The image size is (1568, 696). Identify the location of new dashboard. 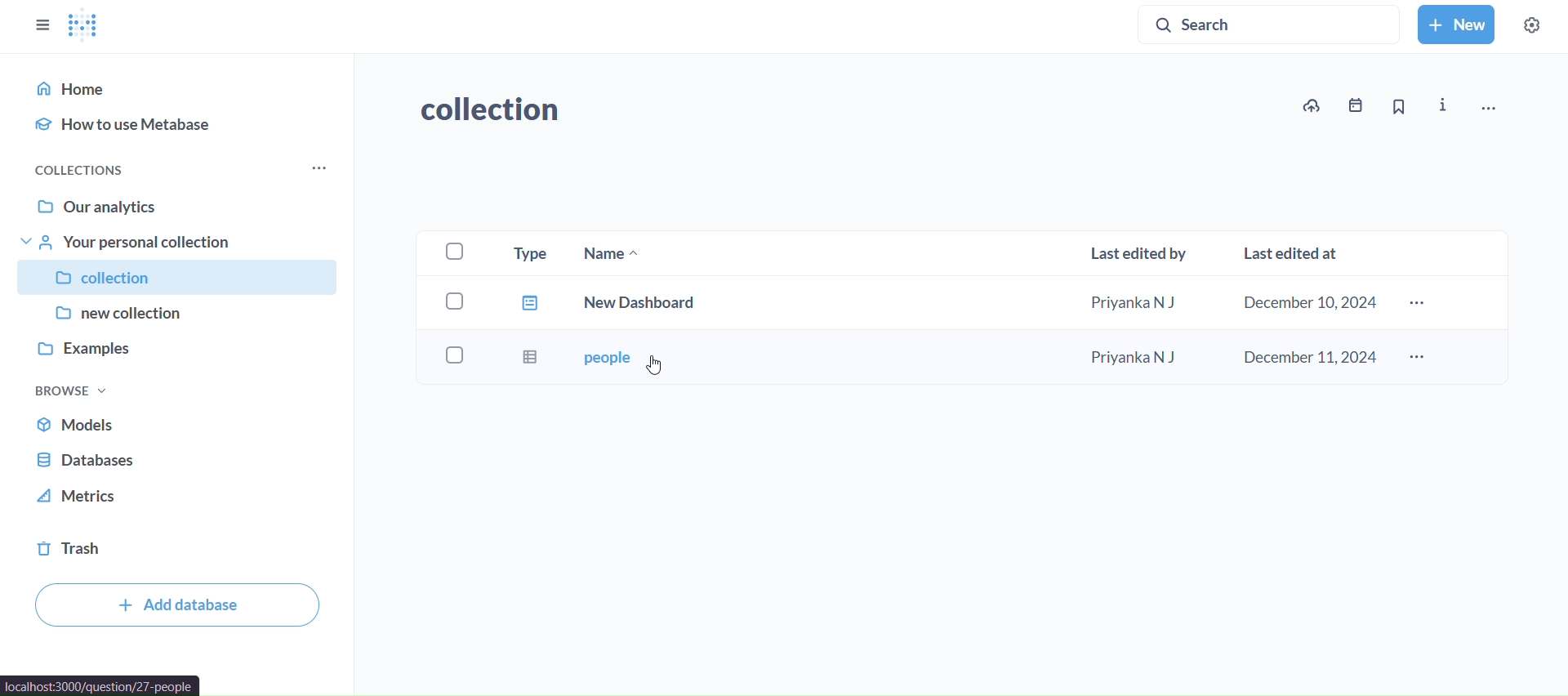
(644, 303).